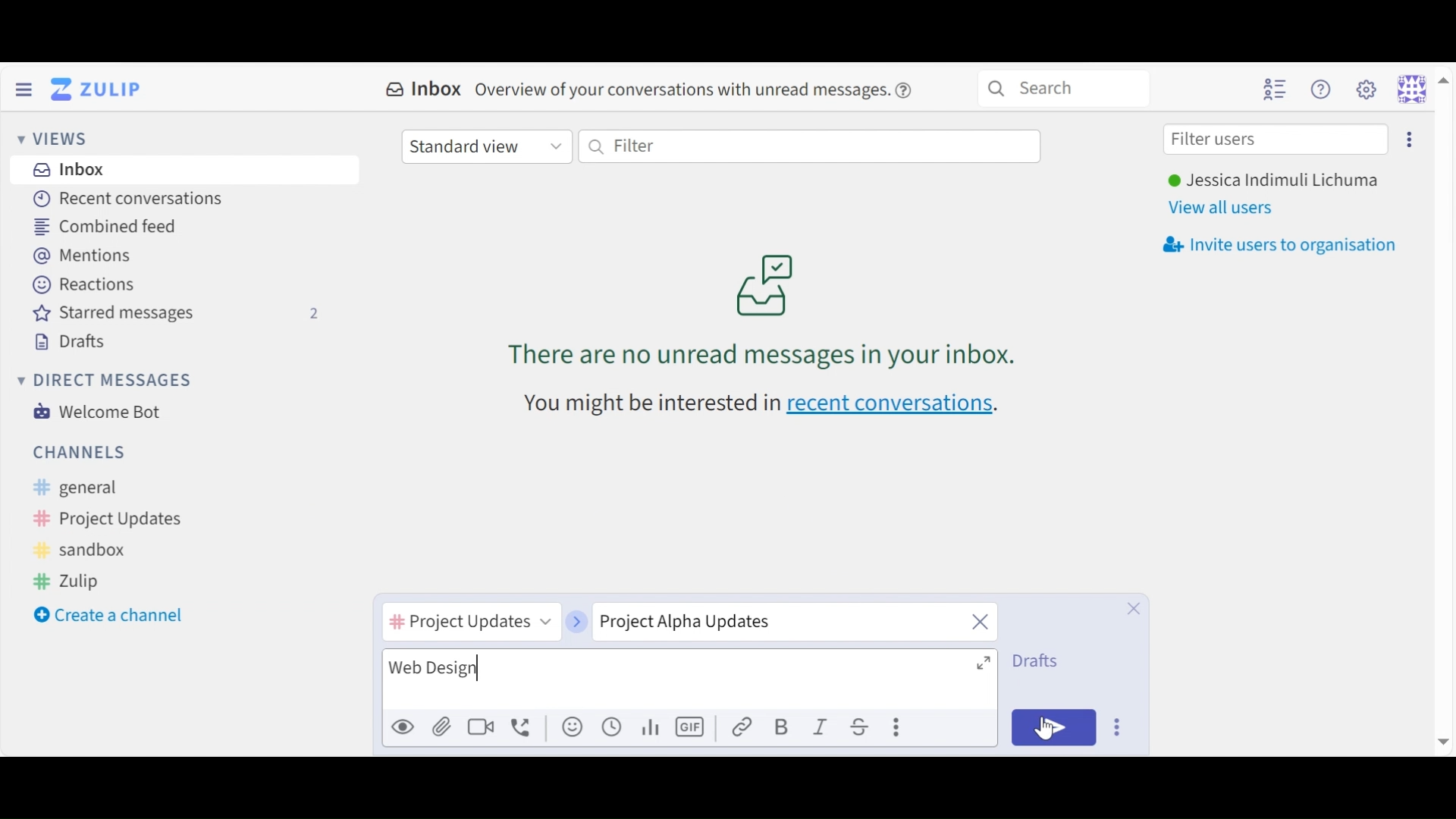 Image resolution: width=1456 pixels, height=819 pixels. I want to click on Cursor, so click(1046, 728).